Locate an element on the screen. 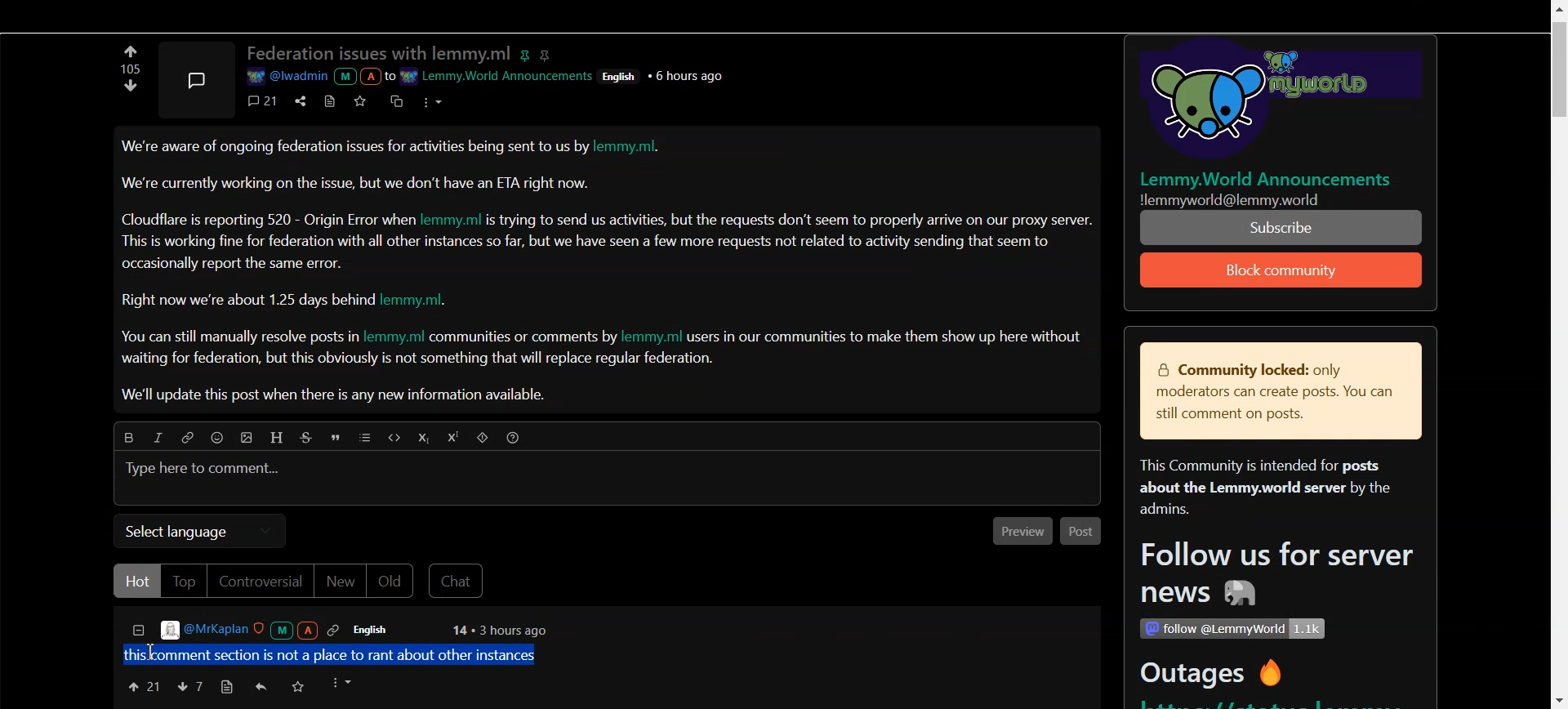  Quote is located at coordinates (338, 439).